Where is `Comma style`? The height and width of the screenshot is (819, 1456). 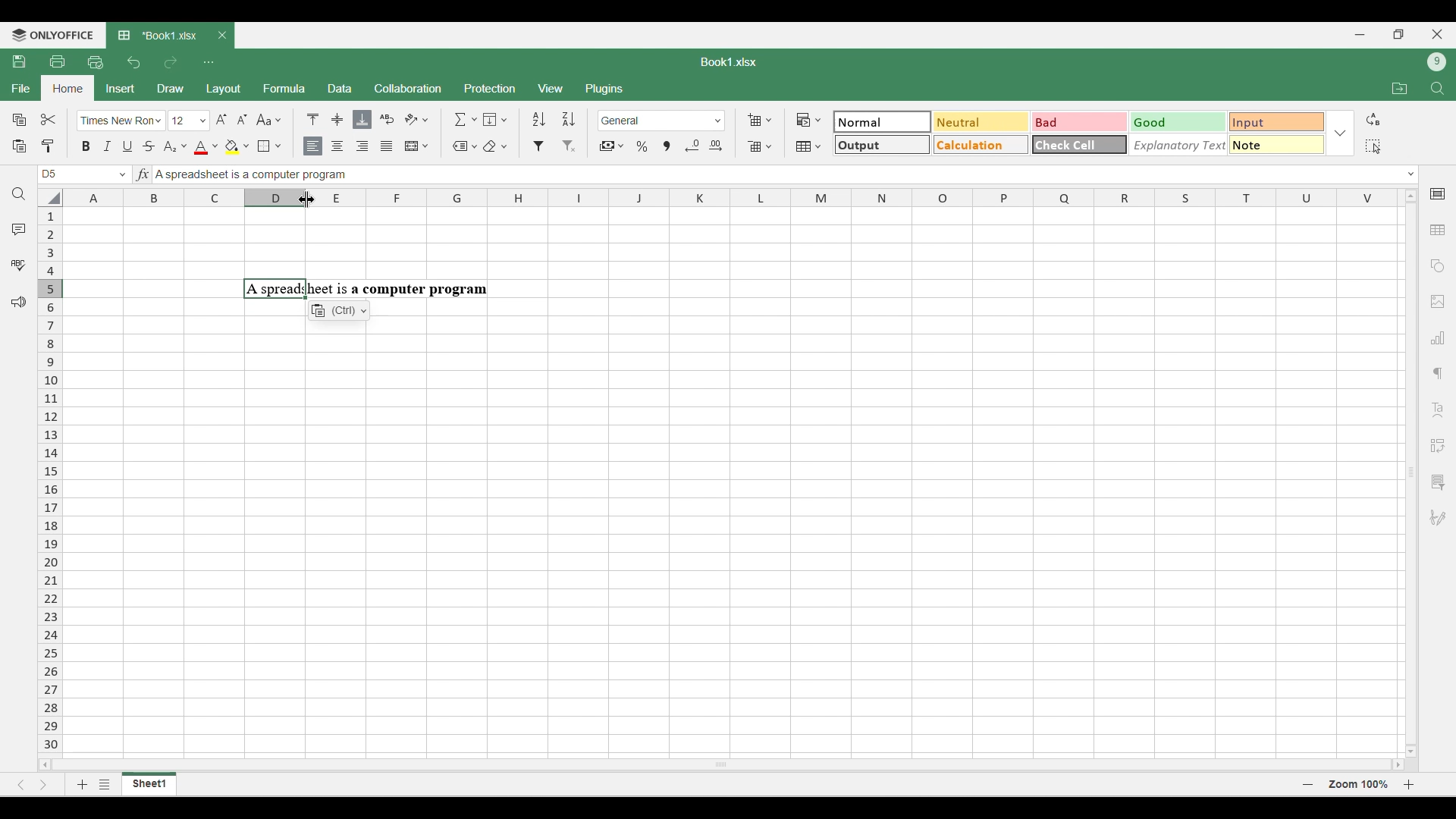
Comma style is located at coordinates (667, 146).